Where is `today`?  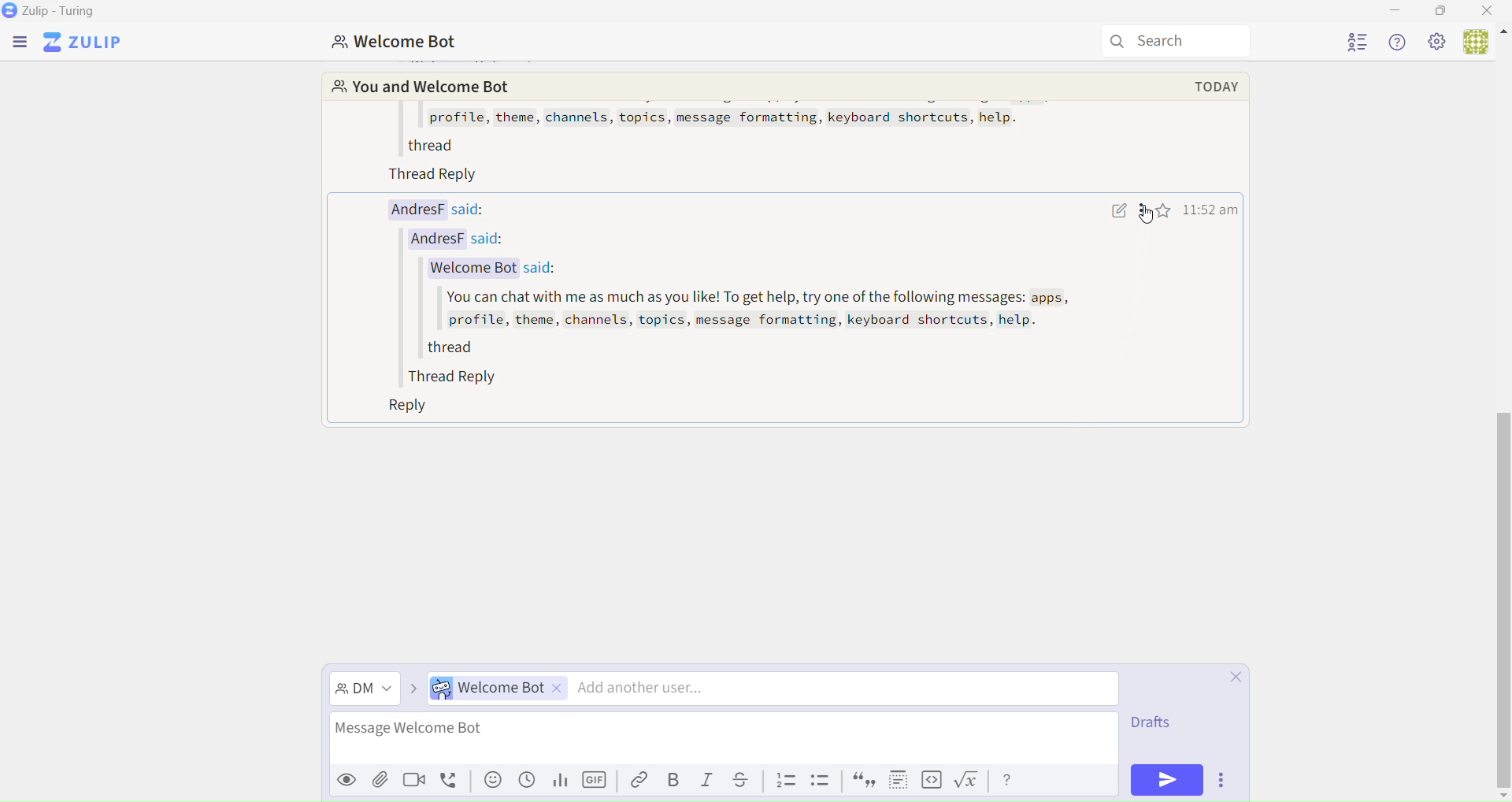
today is located at coordinates (1217, 85).